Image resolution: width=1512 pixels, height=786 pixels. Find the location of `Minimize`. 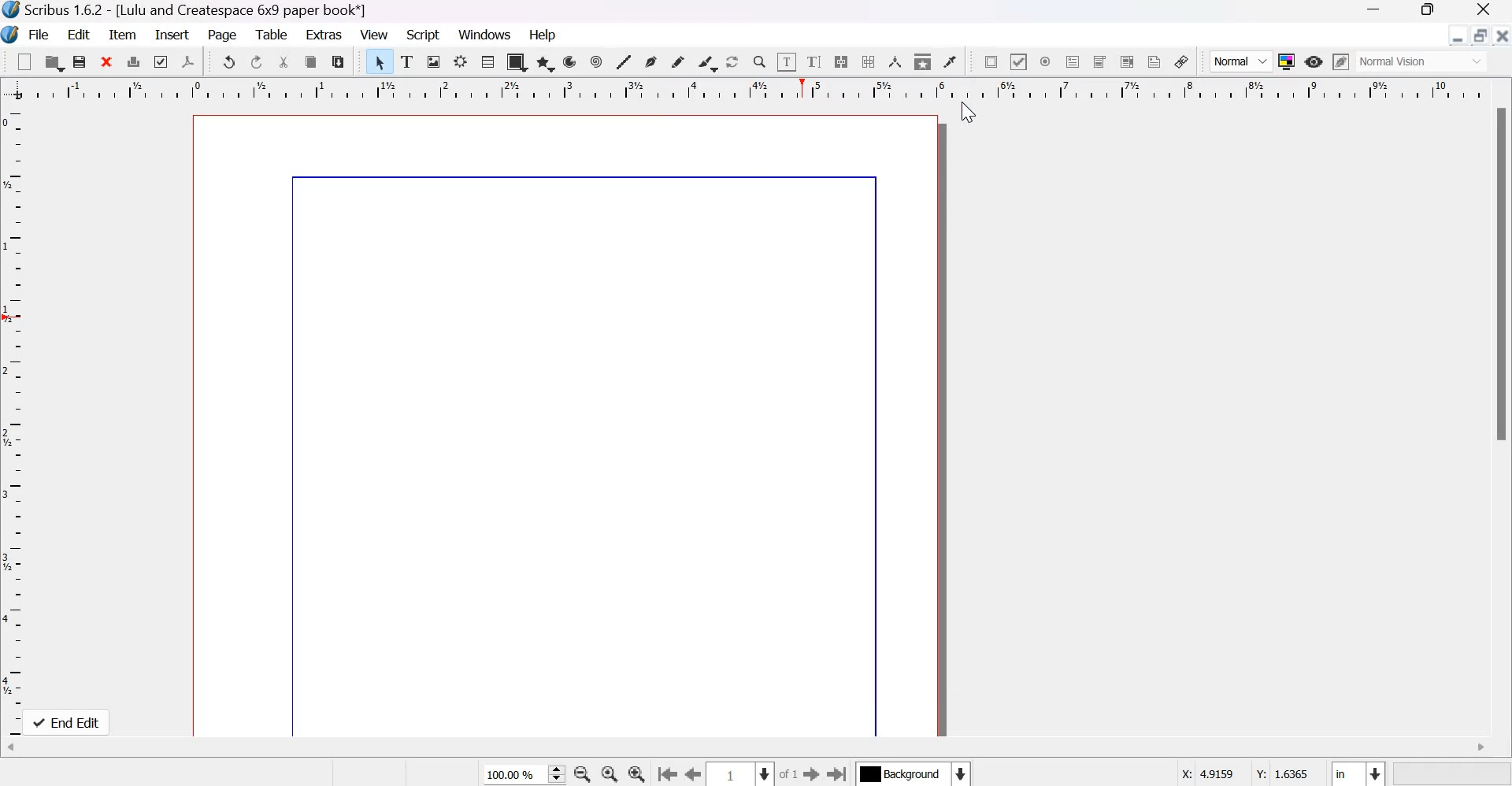

Minimize is located at coordinates (1372, 9).